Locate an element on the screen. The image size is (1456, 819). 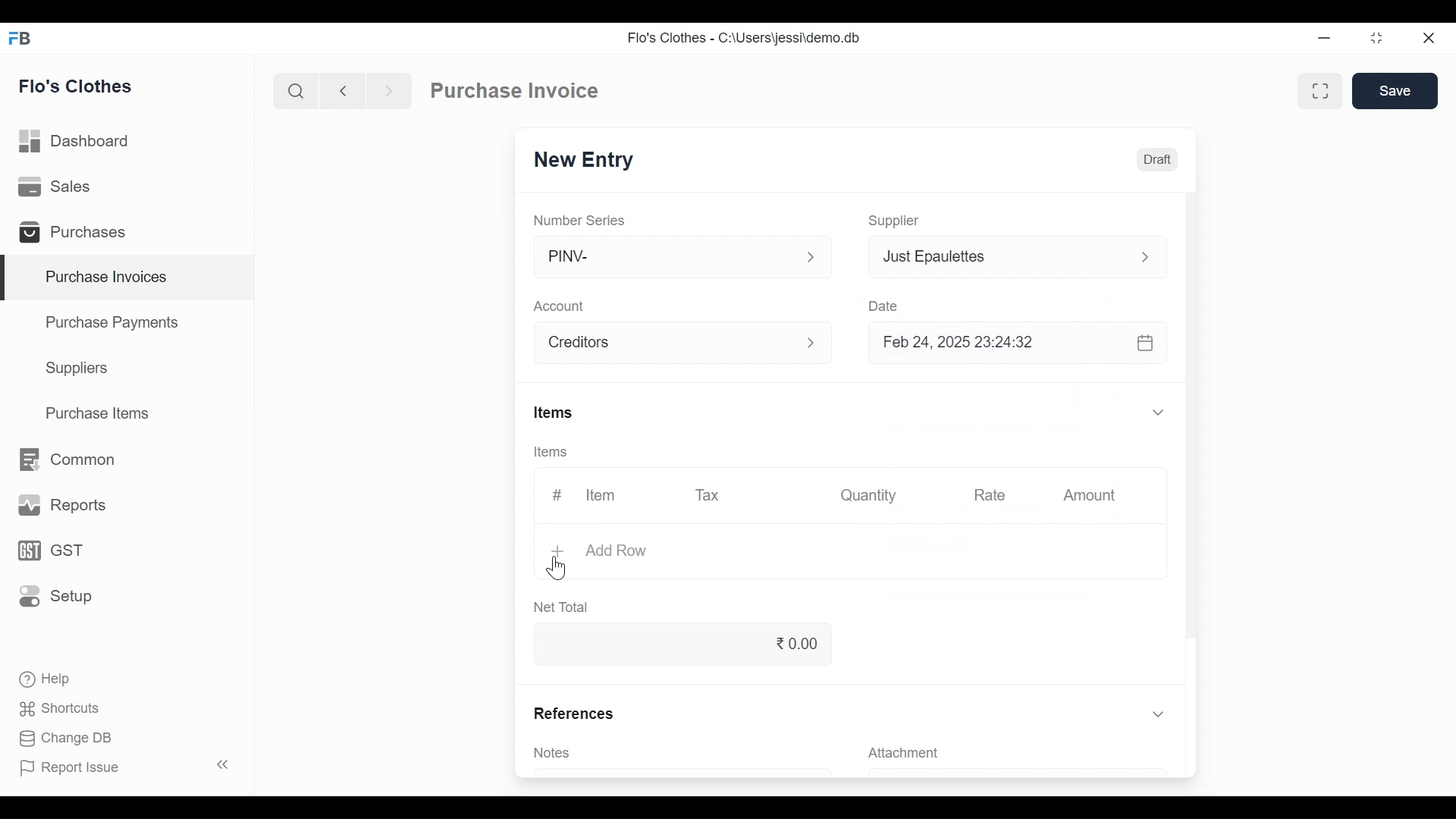
Setup is located at coordinates (52, 597).